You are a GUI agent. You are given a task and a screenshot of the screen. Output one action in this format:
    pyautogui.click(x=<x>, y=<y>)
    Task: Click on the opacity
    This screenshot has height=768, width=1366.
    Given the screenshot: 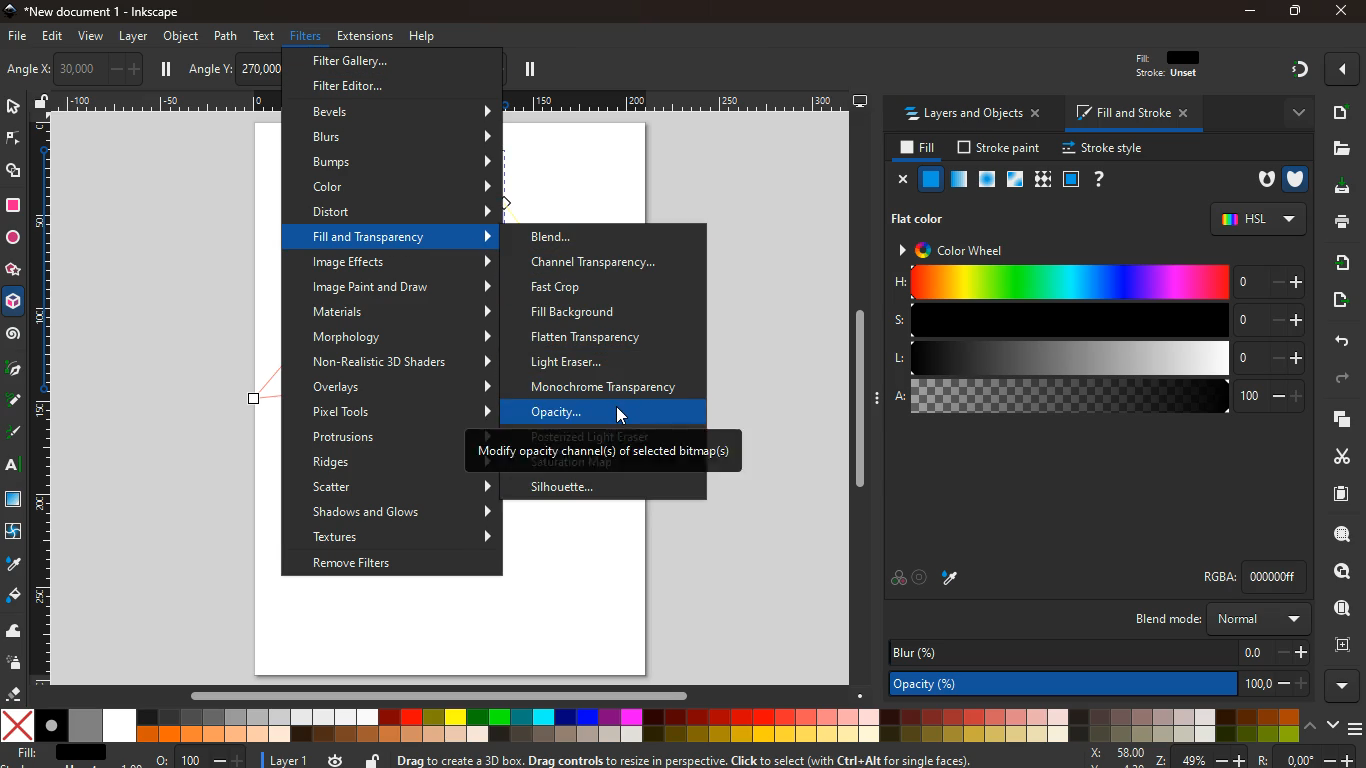 What is the action you would take?
    pyautogui.click(x=957, y=180)
    